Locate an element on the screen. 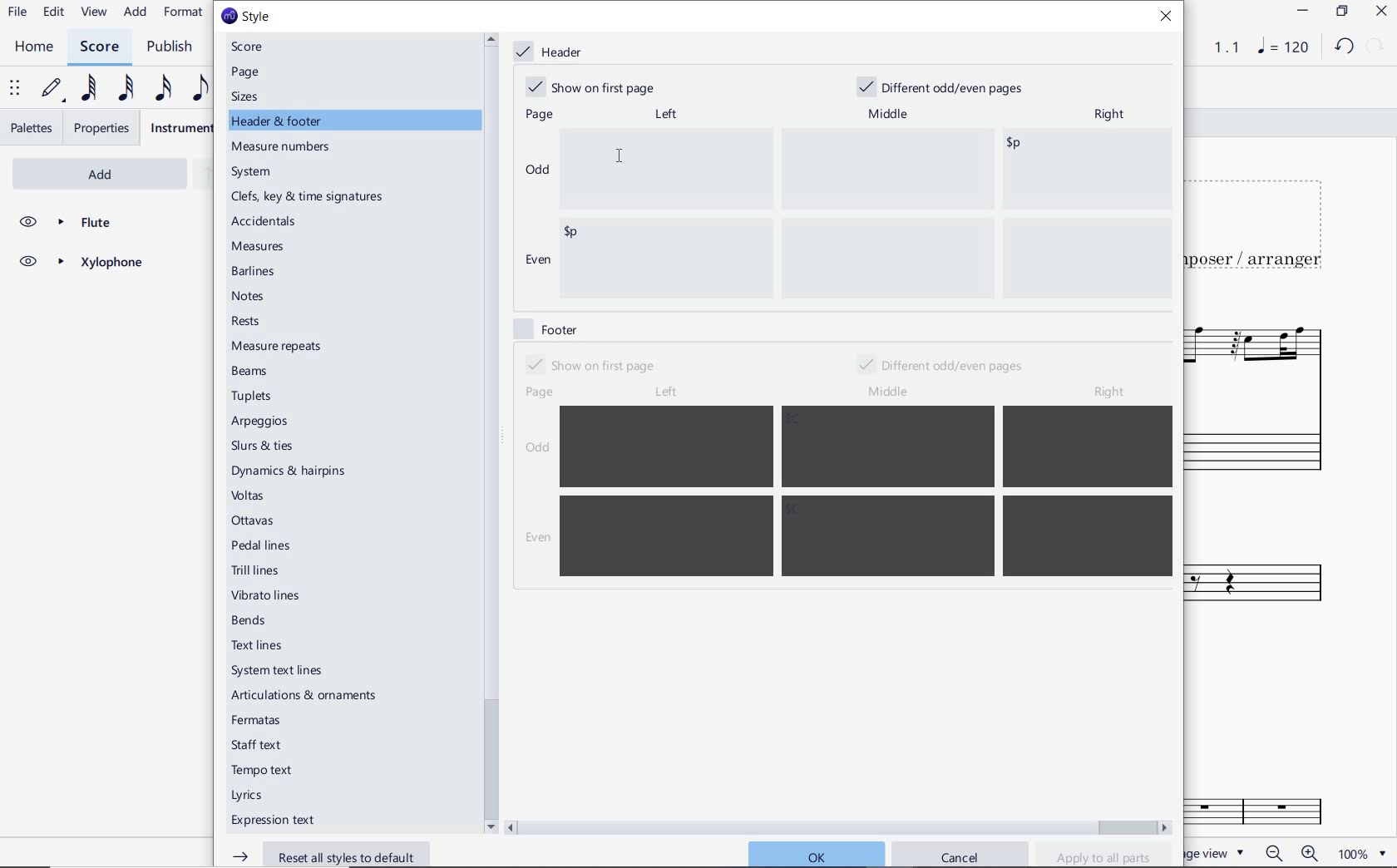 Image resolution: width=1397 pixels, height=868 pixels. sizes is located at coordinates (249, 96).